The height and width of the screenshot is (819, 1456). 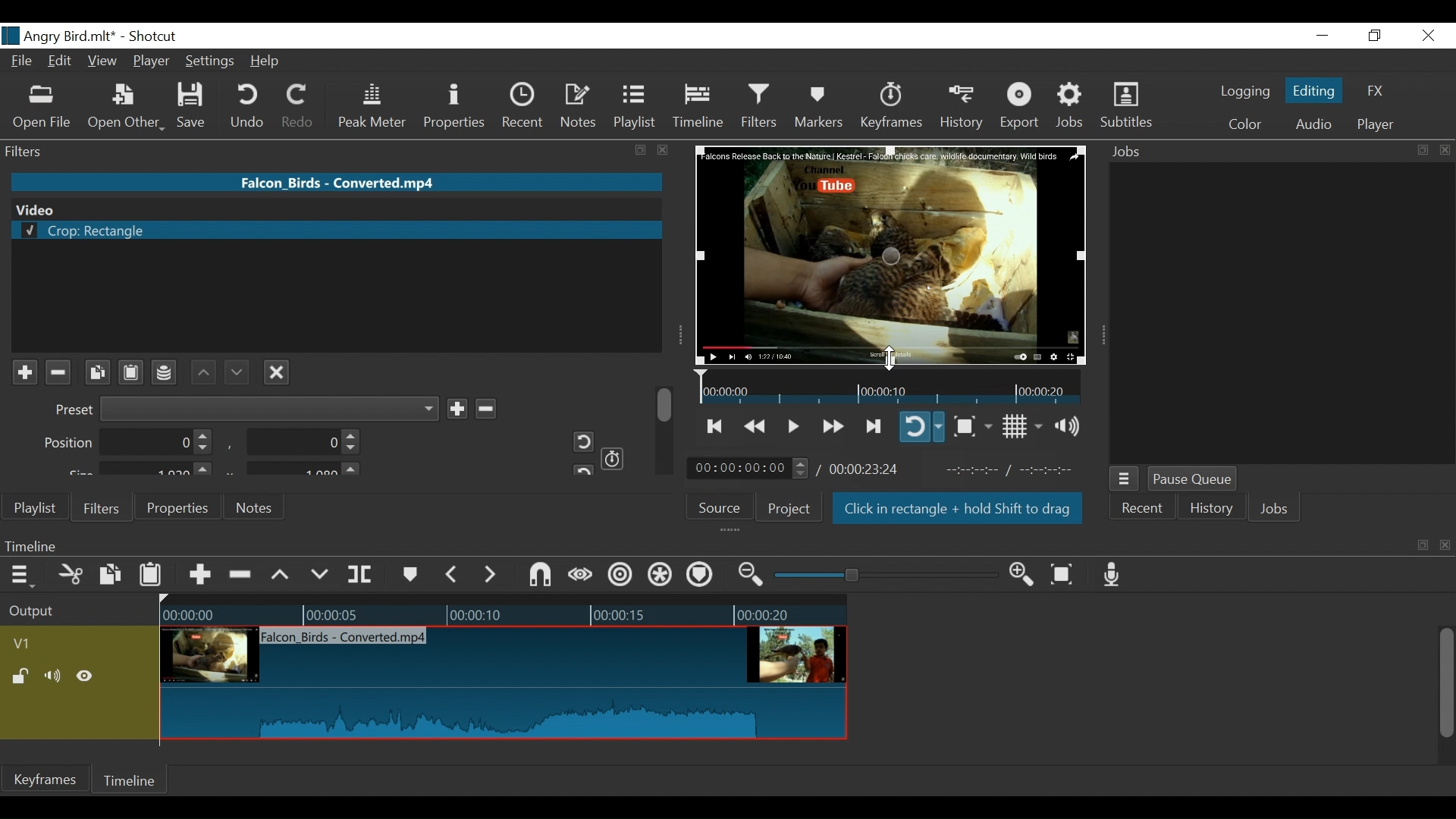 I want to click on Overwrite, so click(x=320, y=575).